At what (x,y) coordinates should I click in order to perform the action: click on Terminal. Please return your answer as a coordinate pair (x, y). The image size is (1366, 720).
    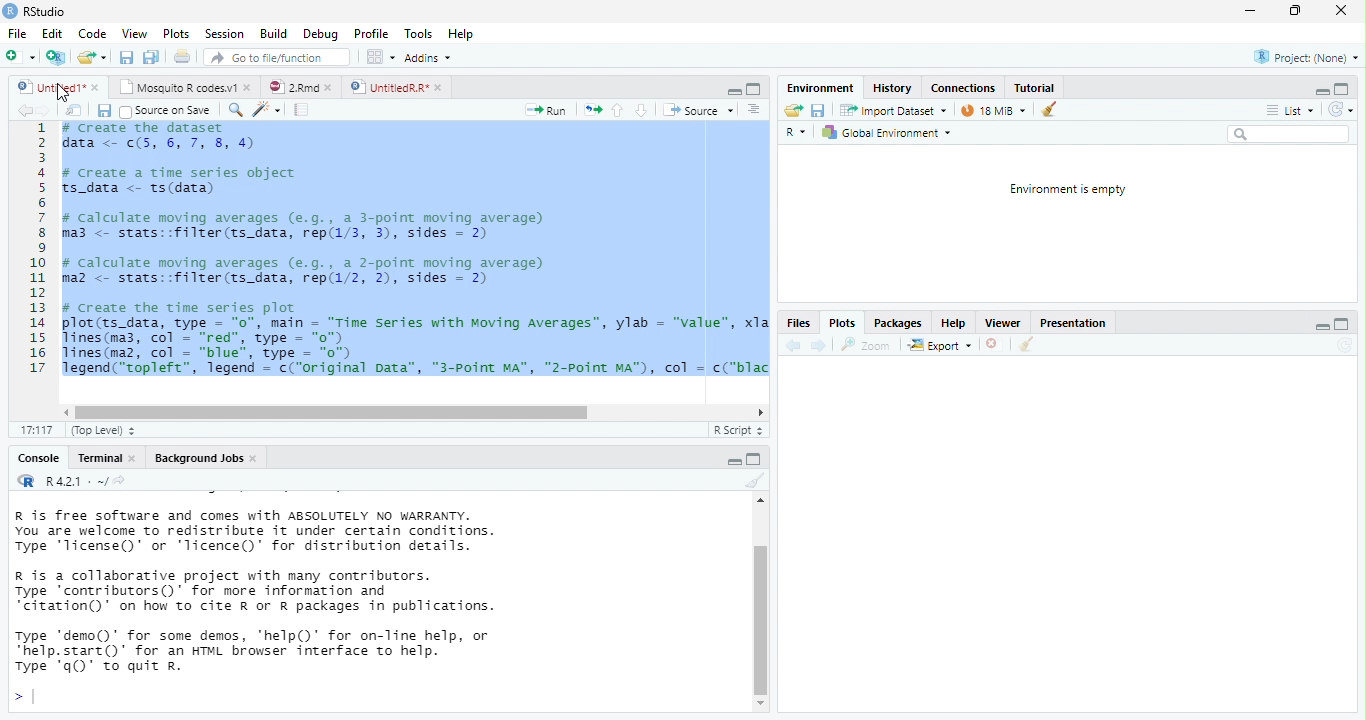
    Looking at the image, I should click on (99, 458).